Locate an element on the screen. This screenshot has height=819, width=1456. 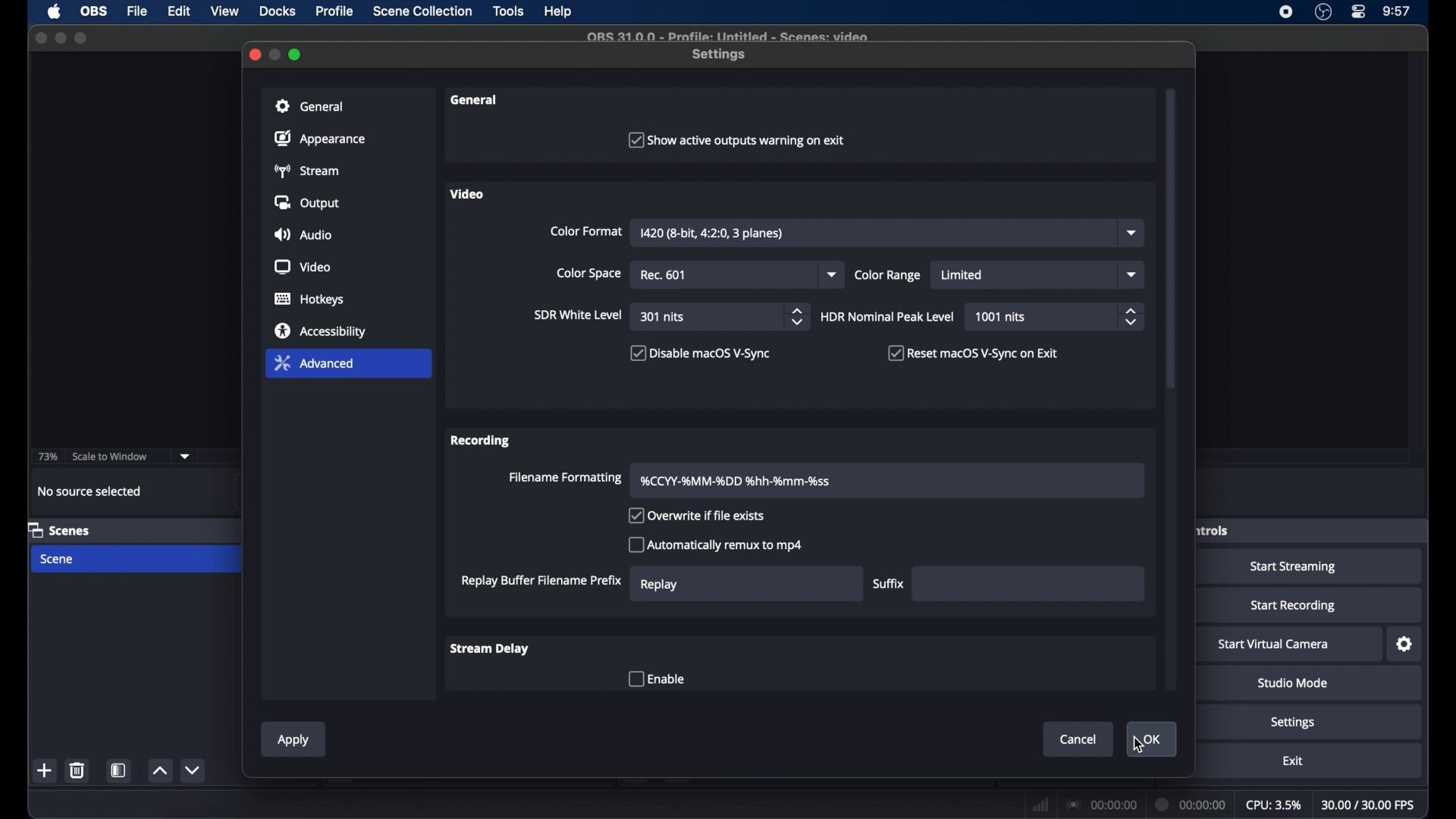
hotkeys is located at coordinates (310, 299).